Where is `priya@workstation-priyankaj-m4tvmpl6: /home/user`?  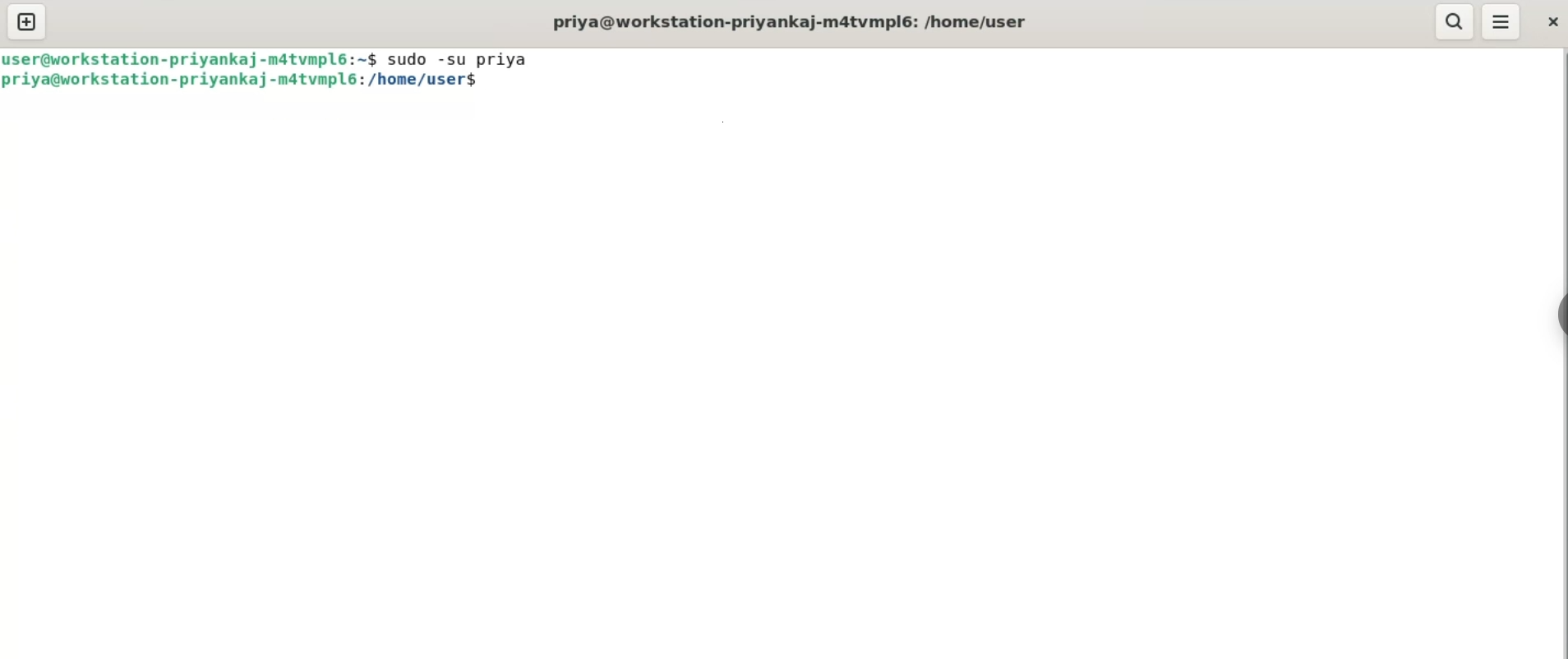
priya@workstation-priyankaj-m4tvmpl6: /home/user is located at coordinates (793, 21).